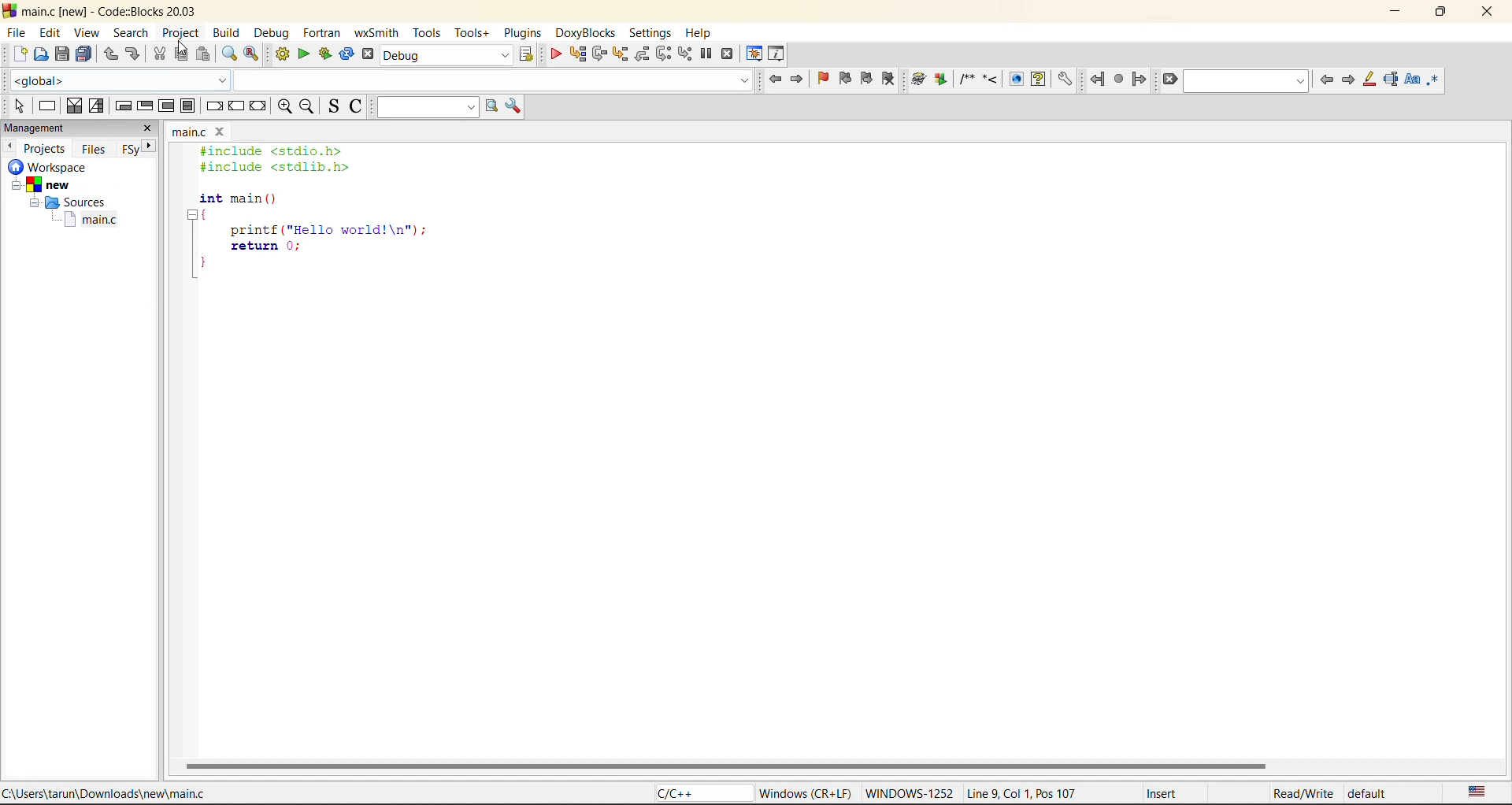 This screenshot has height=805, width=1512. Describe the element at coordinates (160, 54) in the screenshot. I see `cut` at that location.